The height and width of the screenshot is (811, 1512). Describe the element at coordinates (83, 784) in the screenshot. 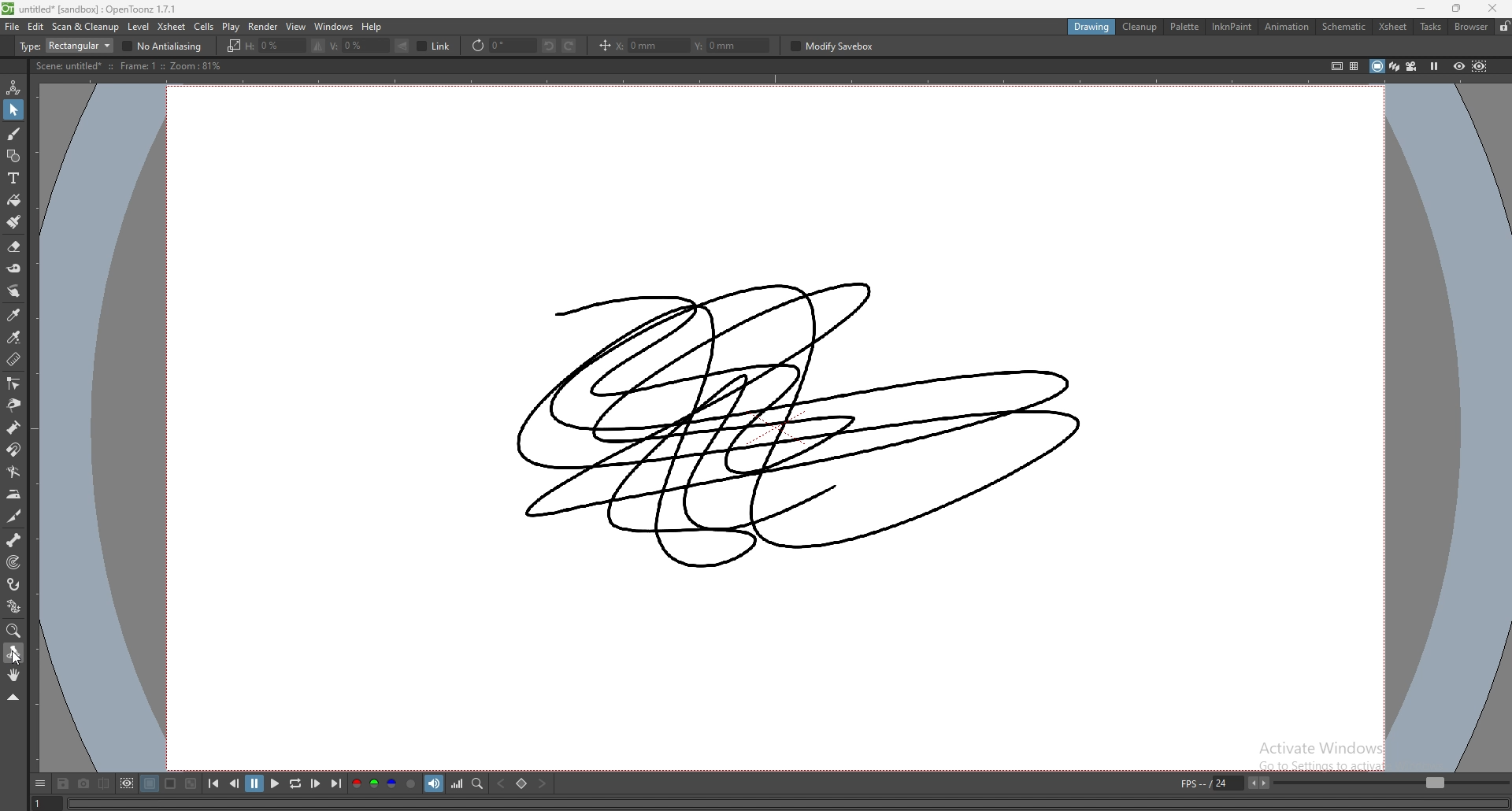

I see `snapshot` at that location.